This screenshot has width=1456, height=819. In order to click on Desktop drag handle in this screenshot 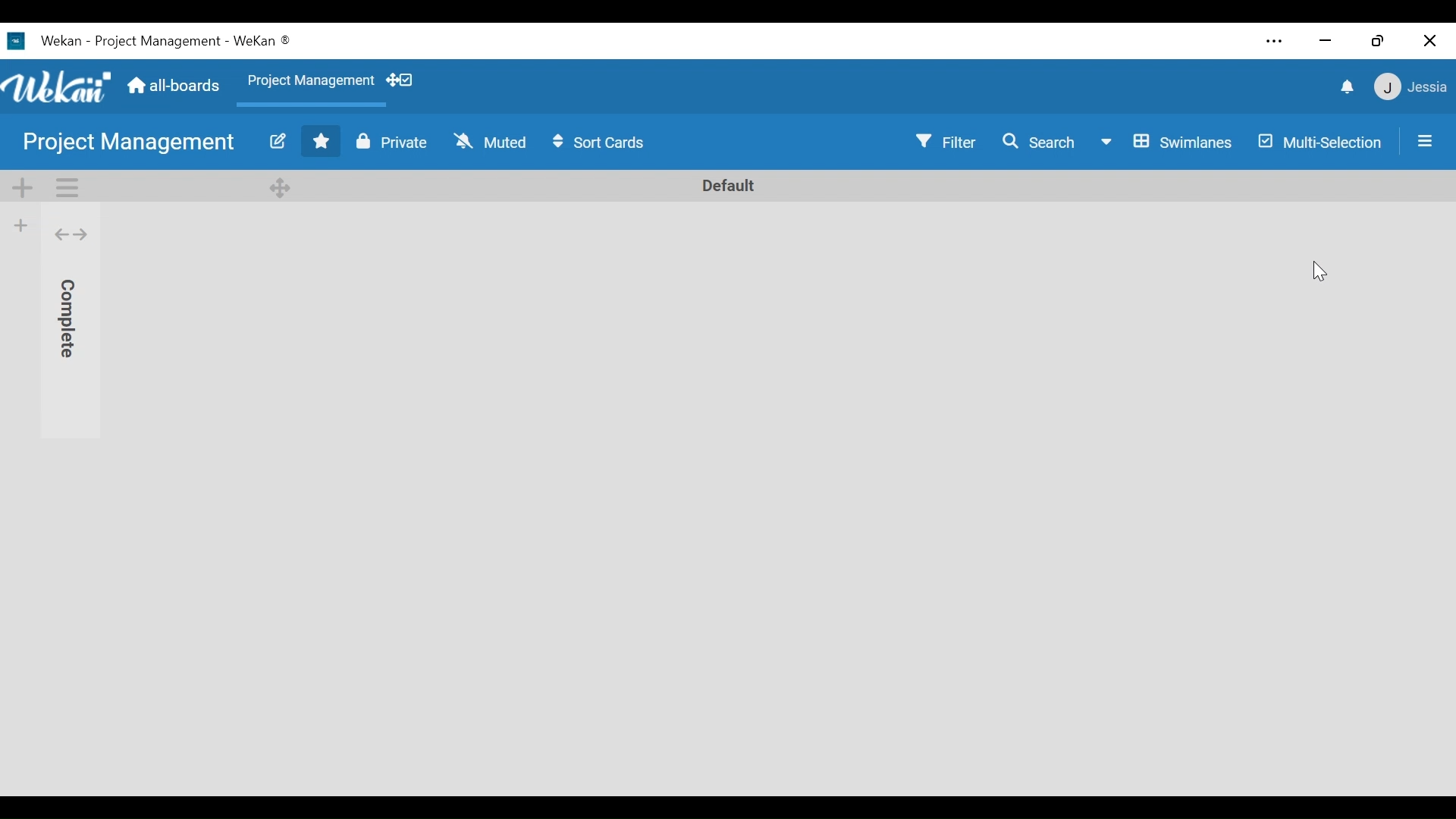, I will do `click(283, 186)`.